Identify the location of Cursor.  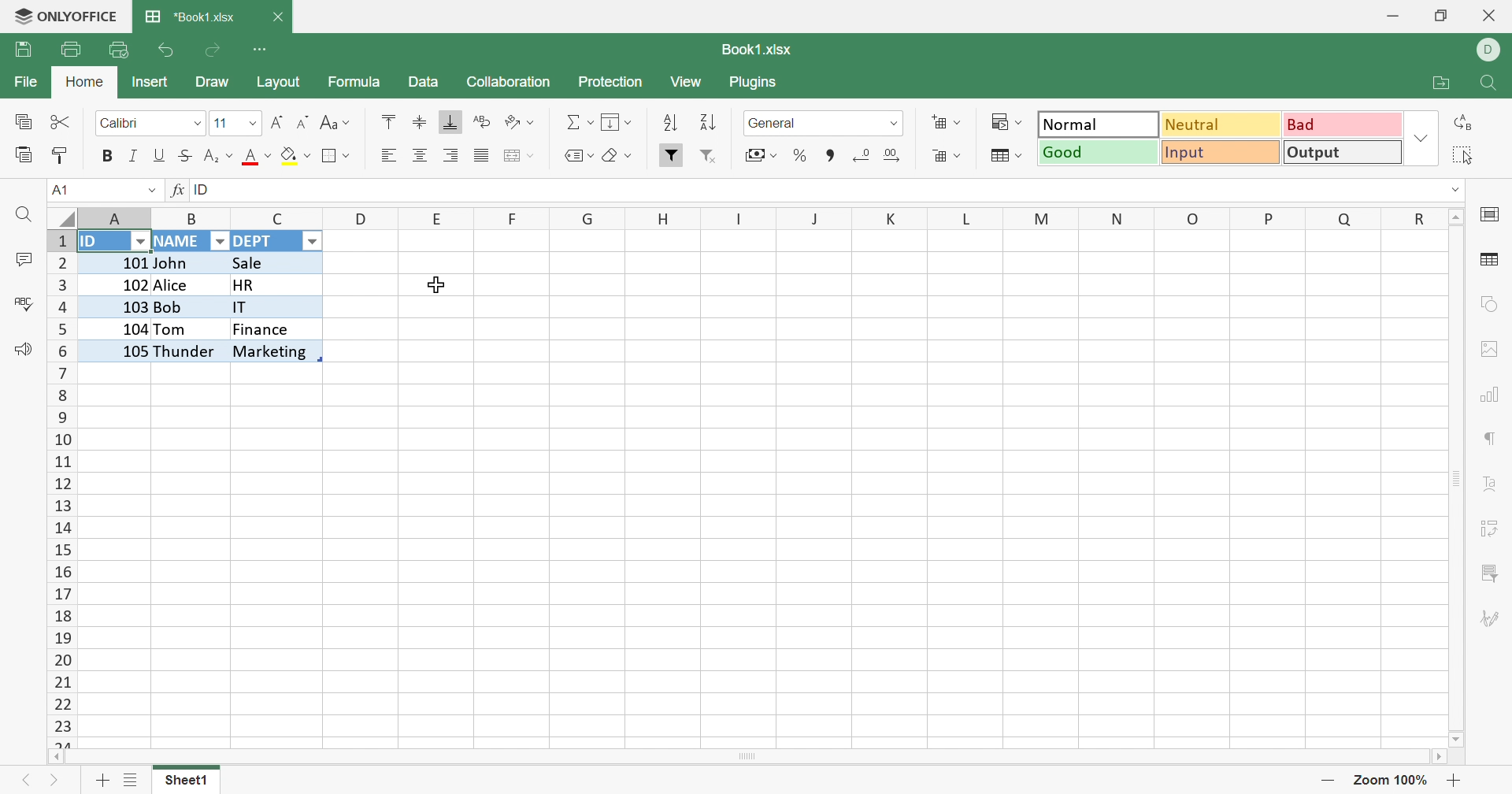
(438, 283).